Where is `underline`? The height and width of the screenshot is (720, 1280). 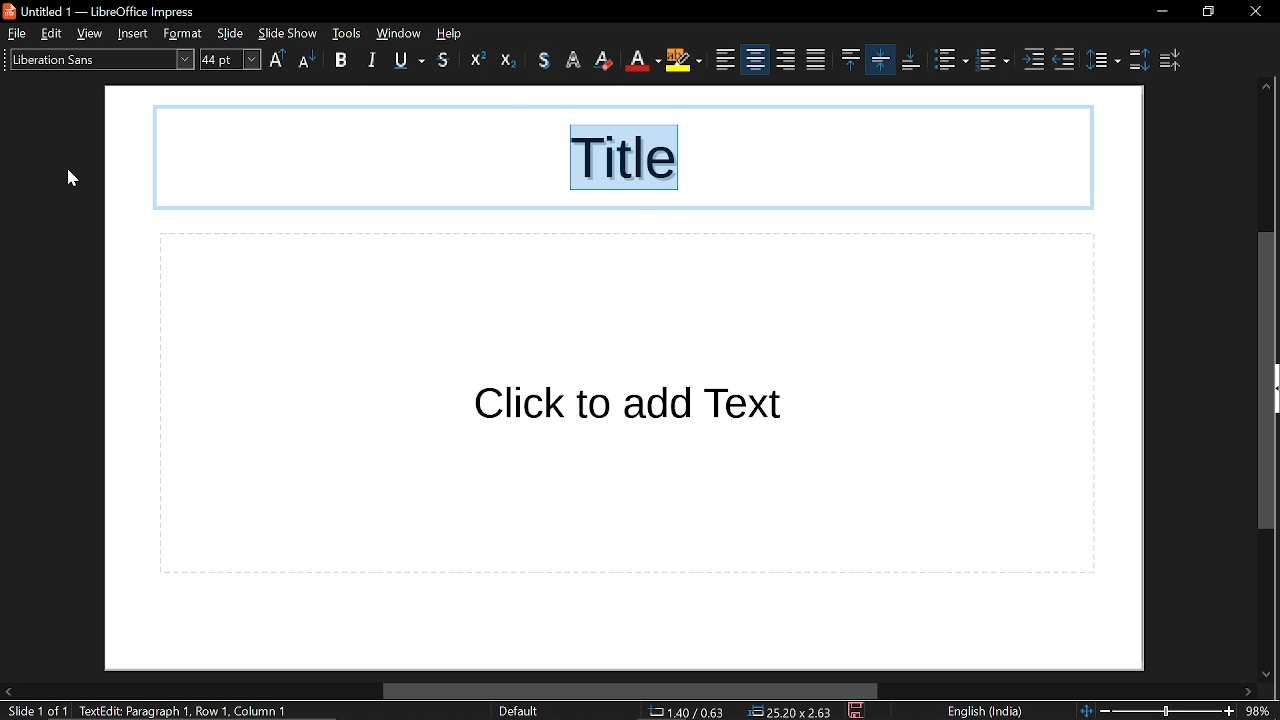
underline is located at coordinates (409, 60).